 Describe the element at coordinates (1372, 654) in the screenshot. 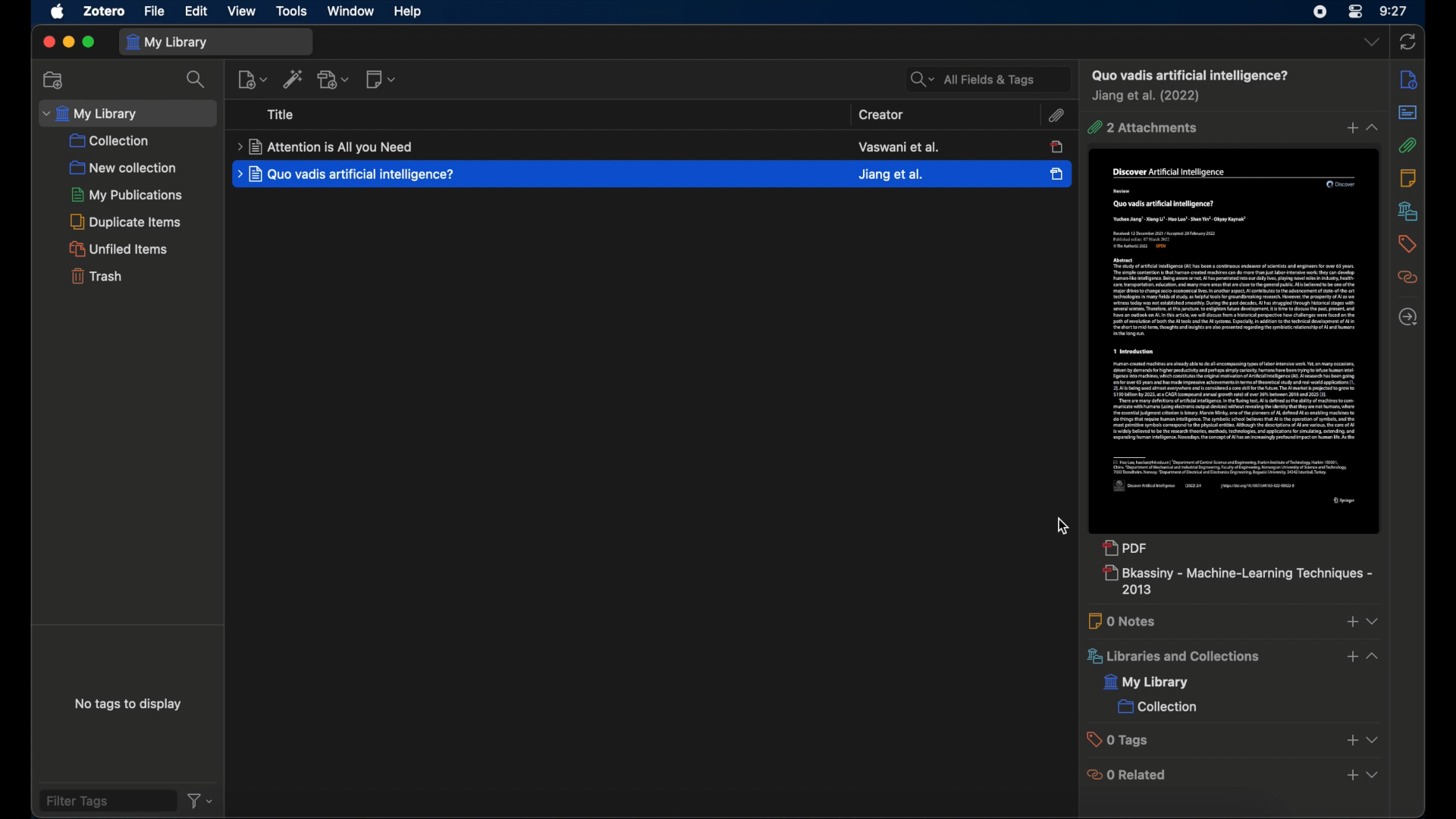

I see `dropdown menu opened` at that location.